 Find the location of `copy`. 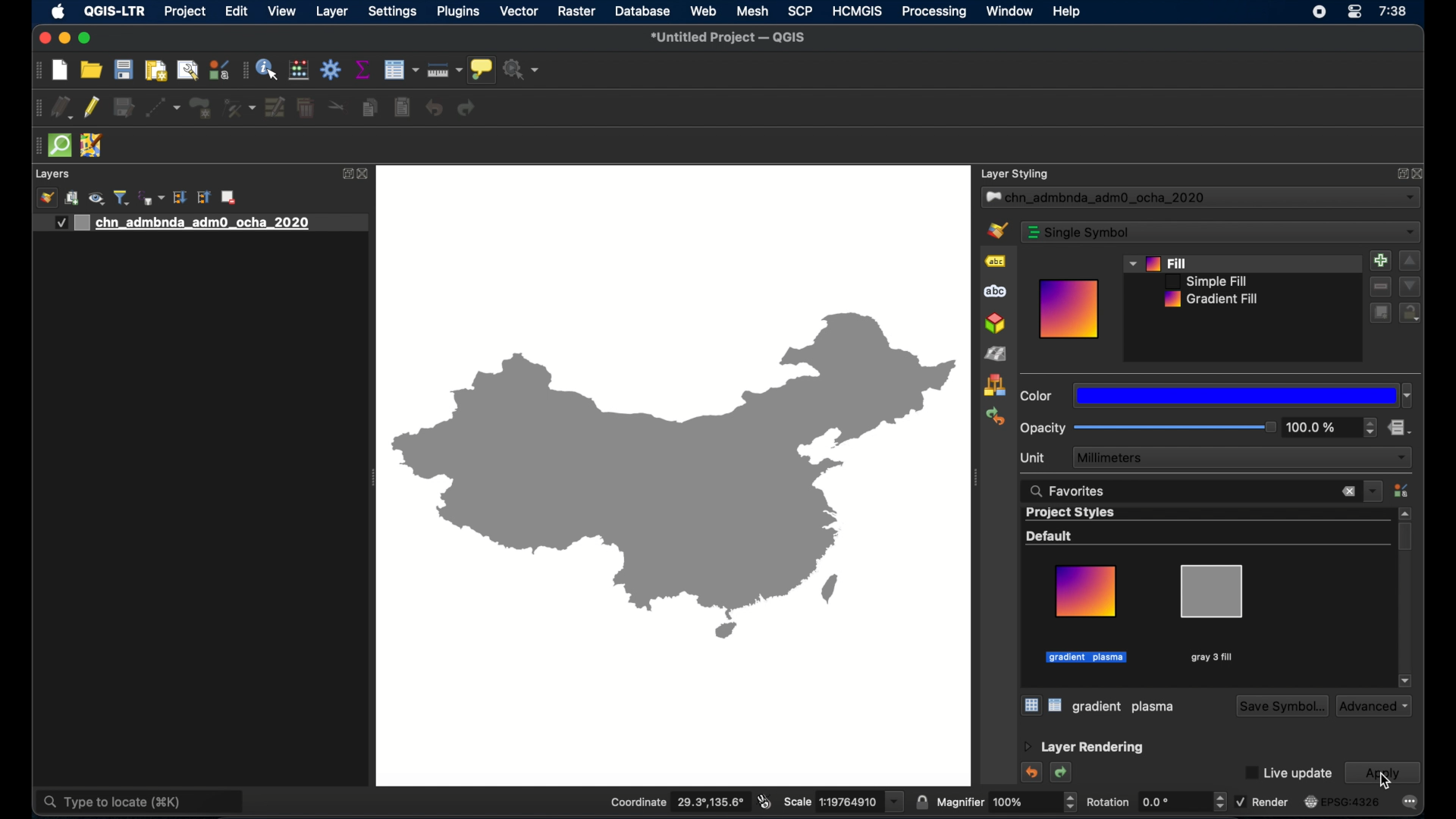

copy is located at coordinates (370, 108).